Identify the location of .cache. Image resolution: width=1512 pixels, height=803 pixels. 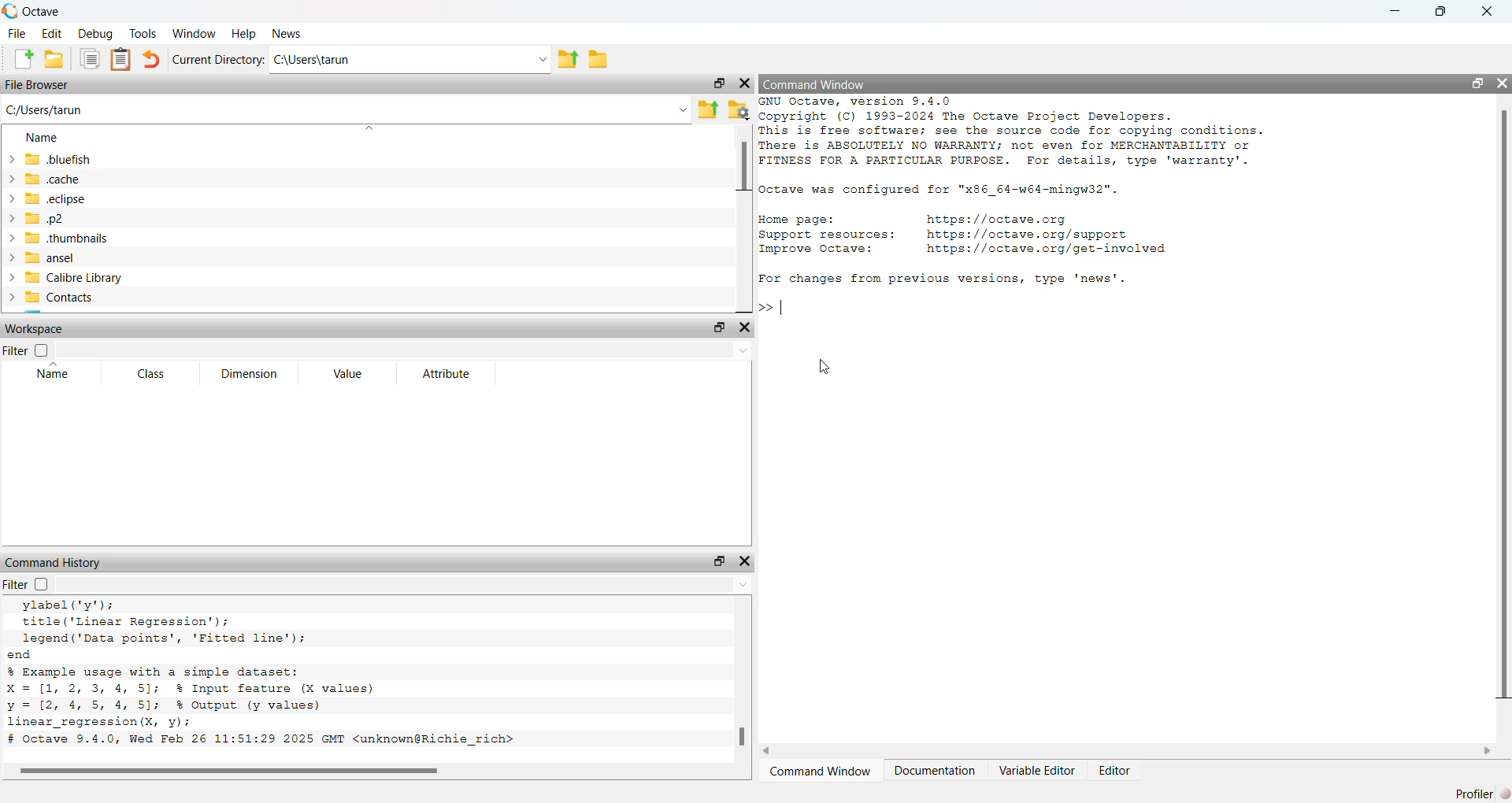
(76, 178).